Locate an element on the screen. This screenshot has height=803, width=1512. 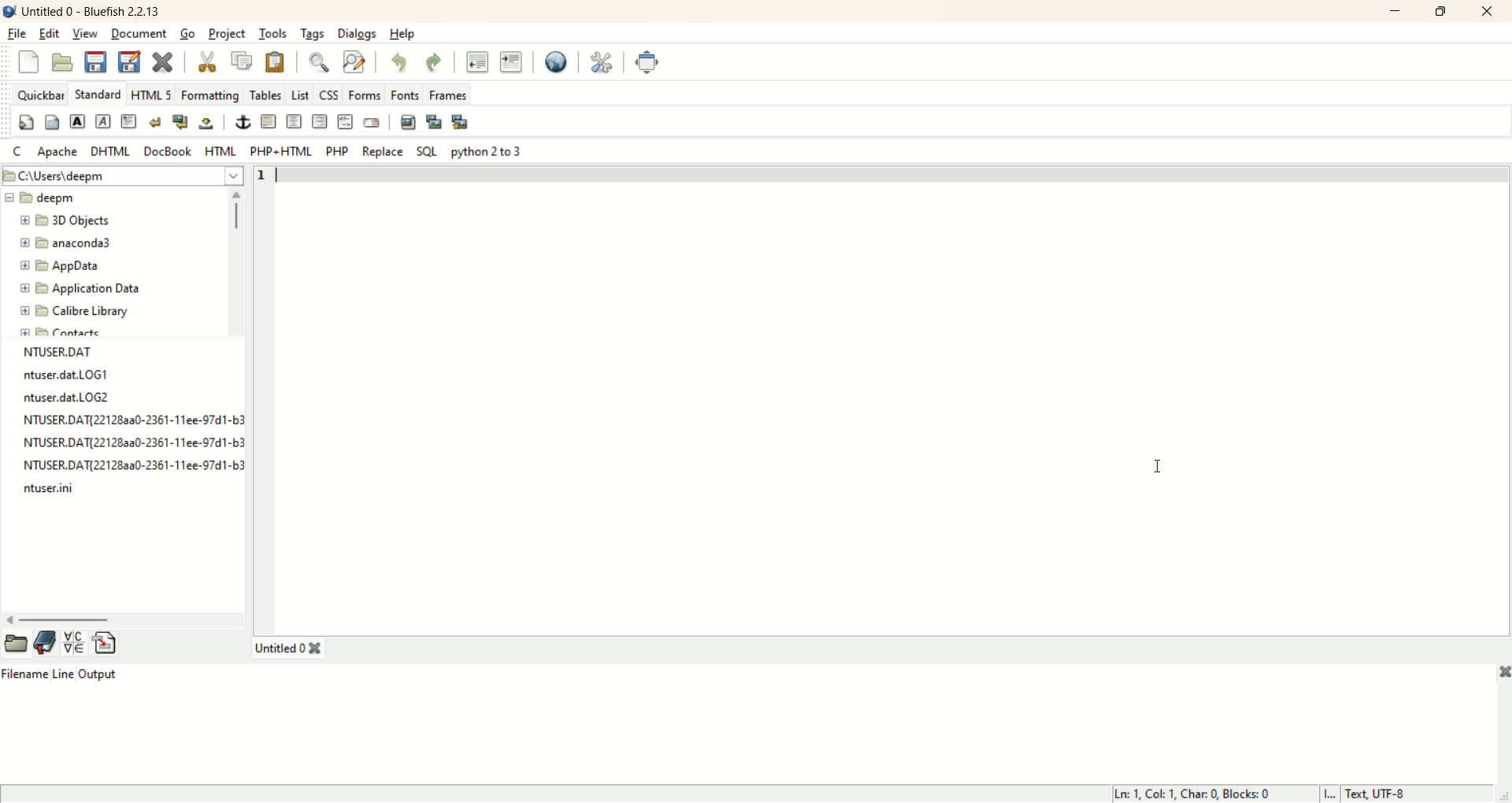
undo is located at coordinates (400, 64).